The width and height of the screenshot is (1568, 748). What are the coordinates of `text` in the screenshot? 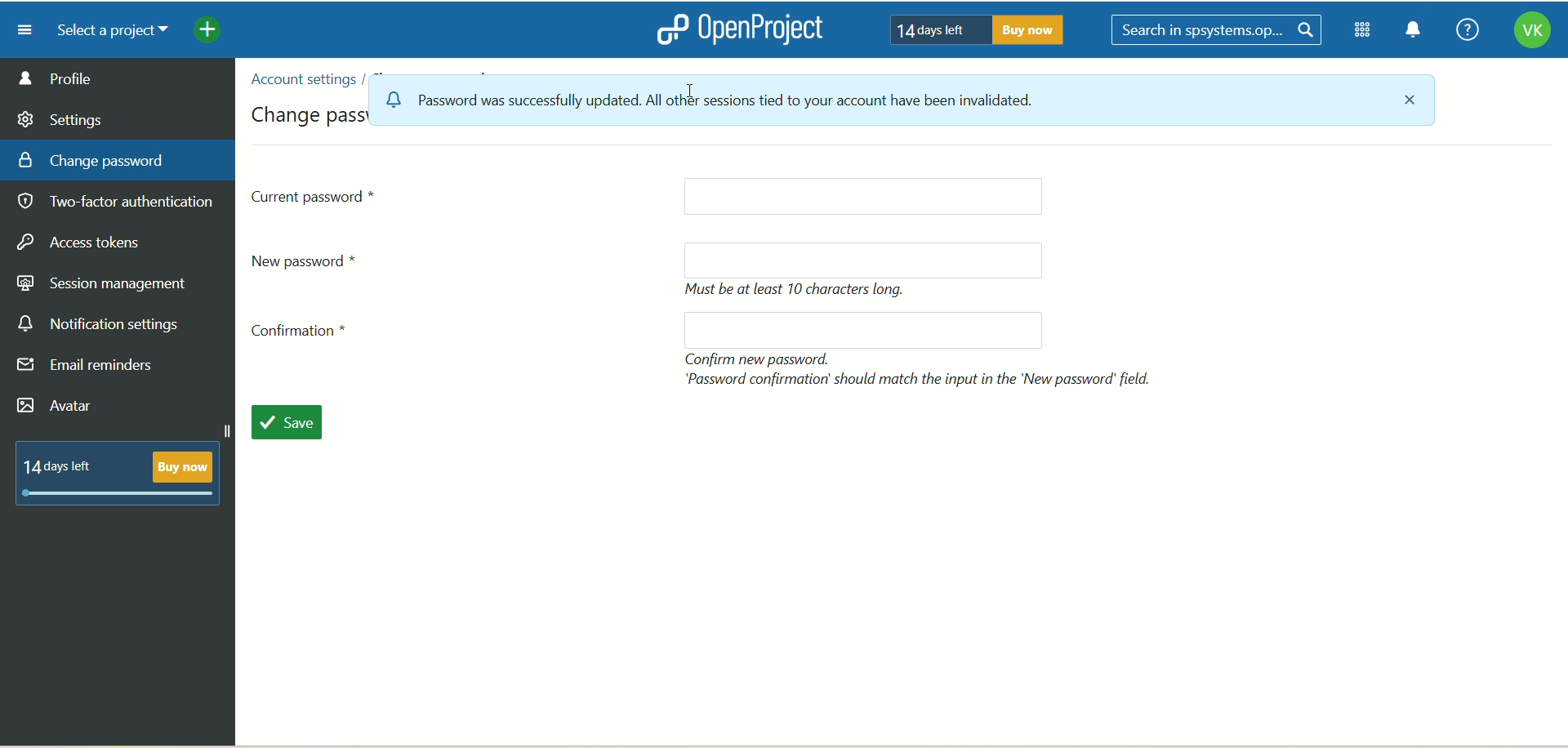 It's located at (125, 470).